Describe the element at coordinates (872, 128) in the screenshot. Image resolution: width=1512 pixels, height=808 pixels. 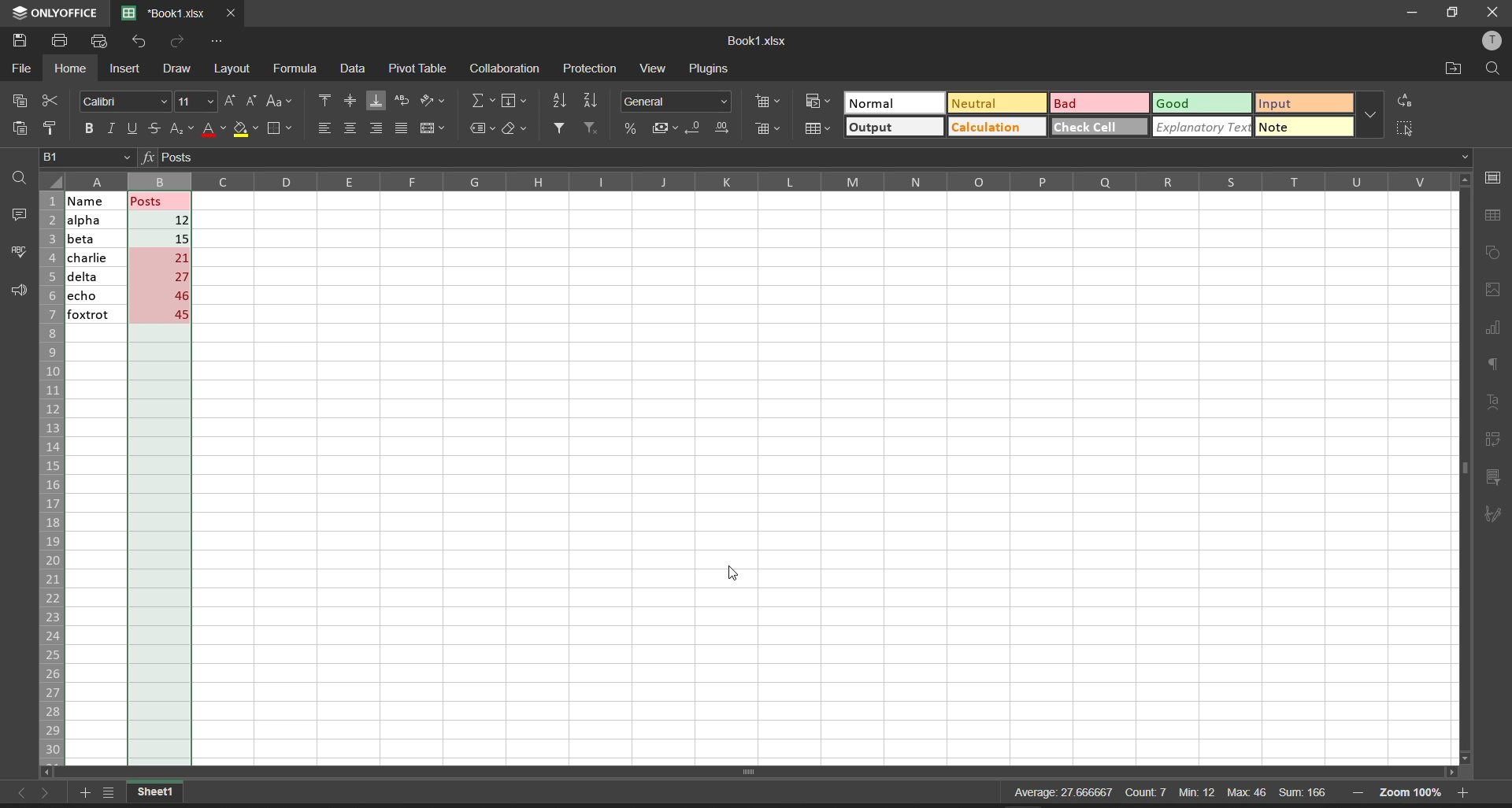
I see `output` at that location.